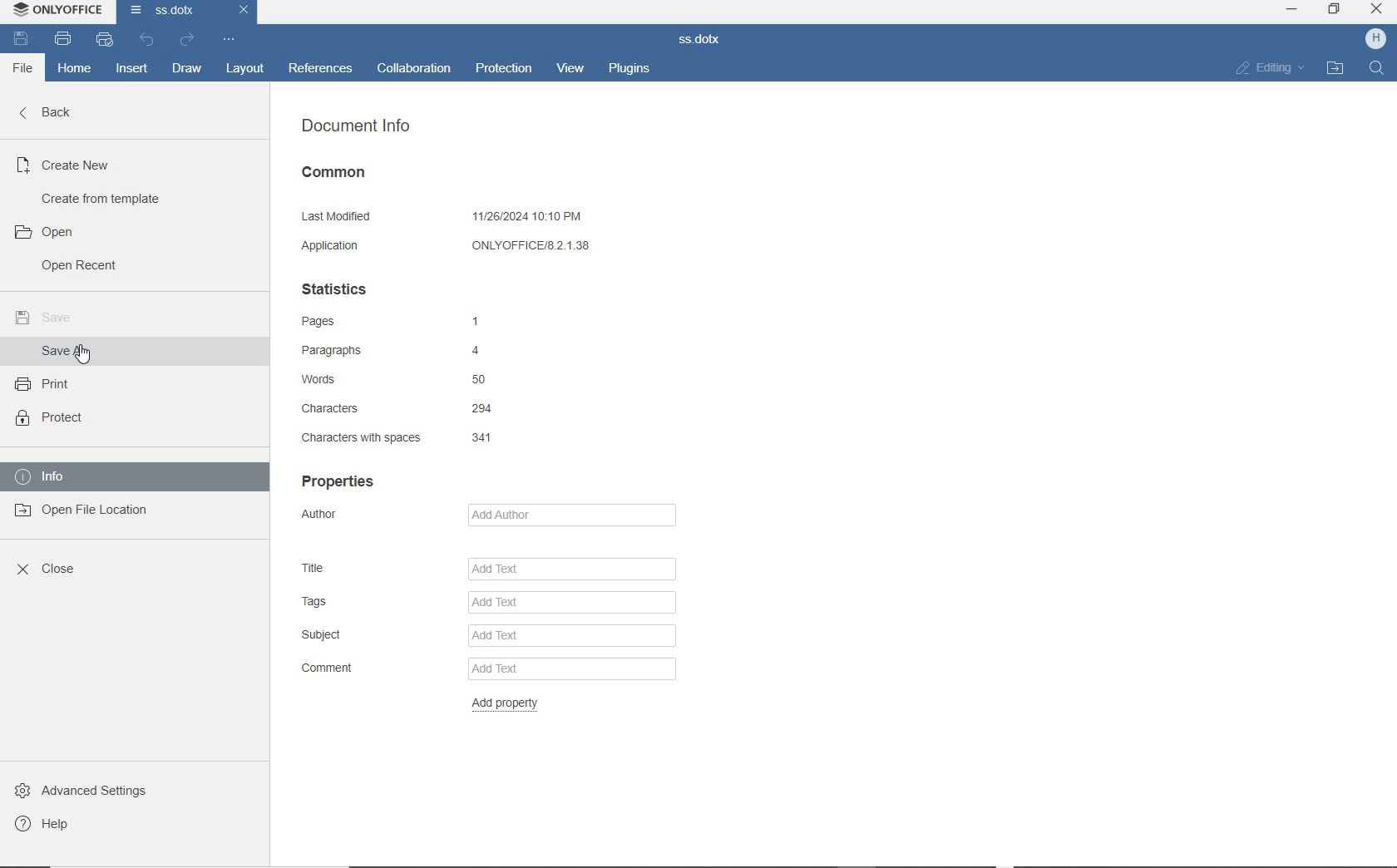 This screenshot has width=1397, height=868. I want to click on SAVE, so click(43, 318).